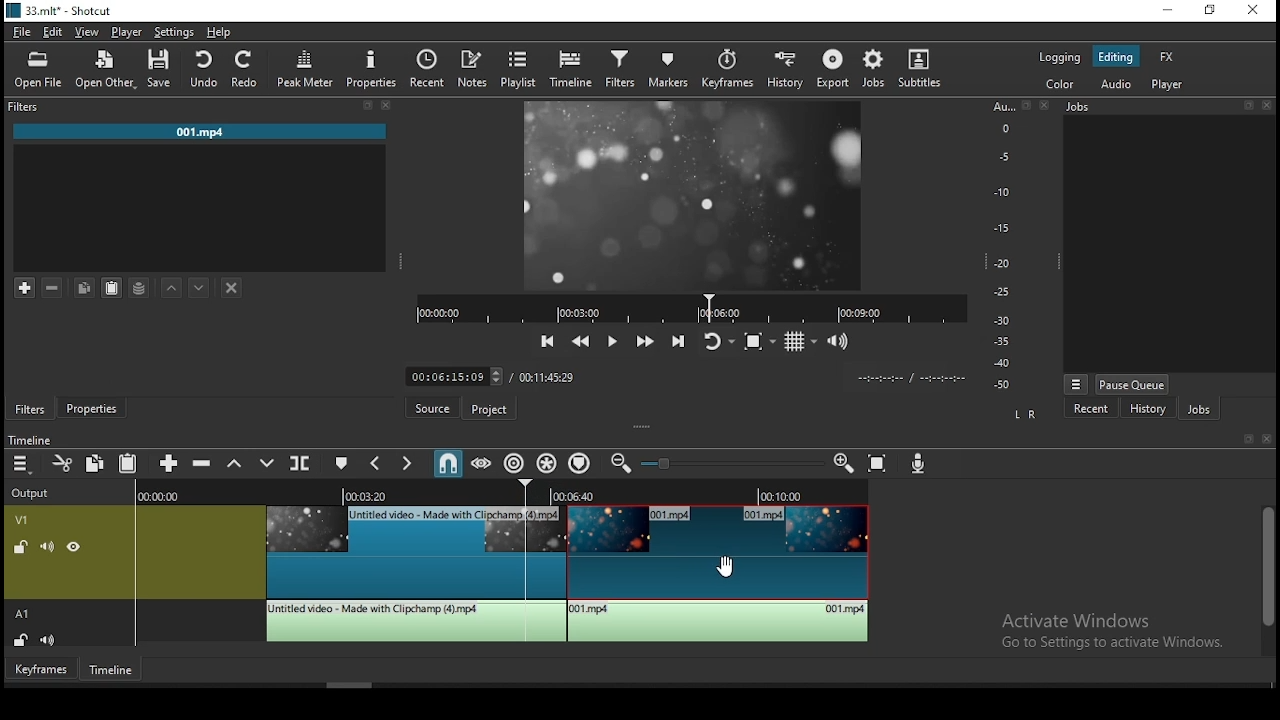  What do you see at coordinates (247, 71) in the screenshot?
I see `redo` at bounding box center [247, 71].